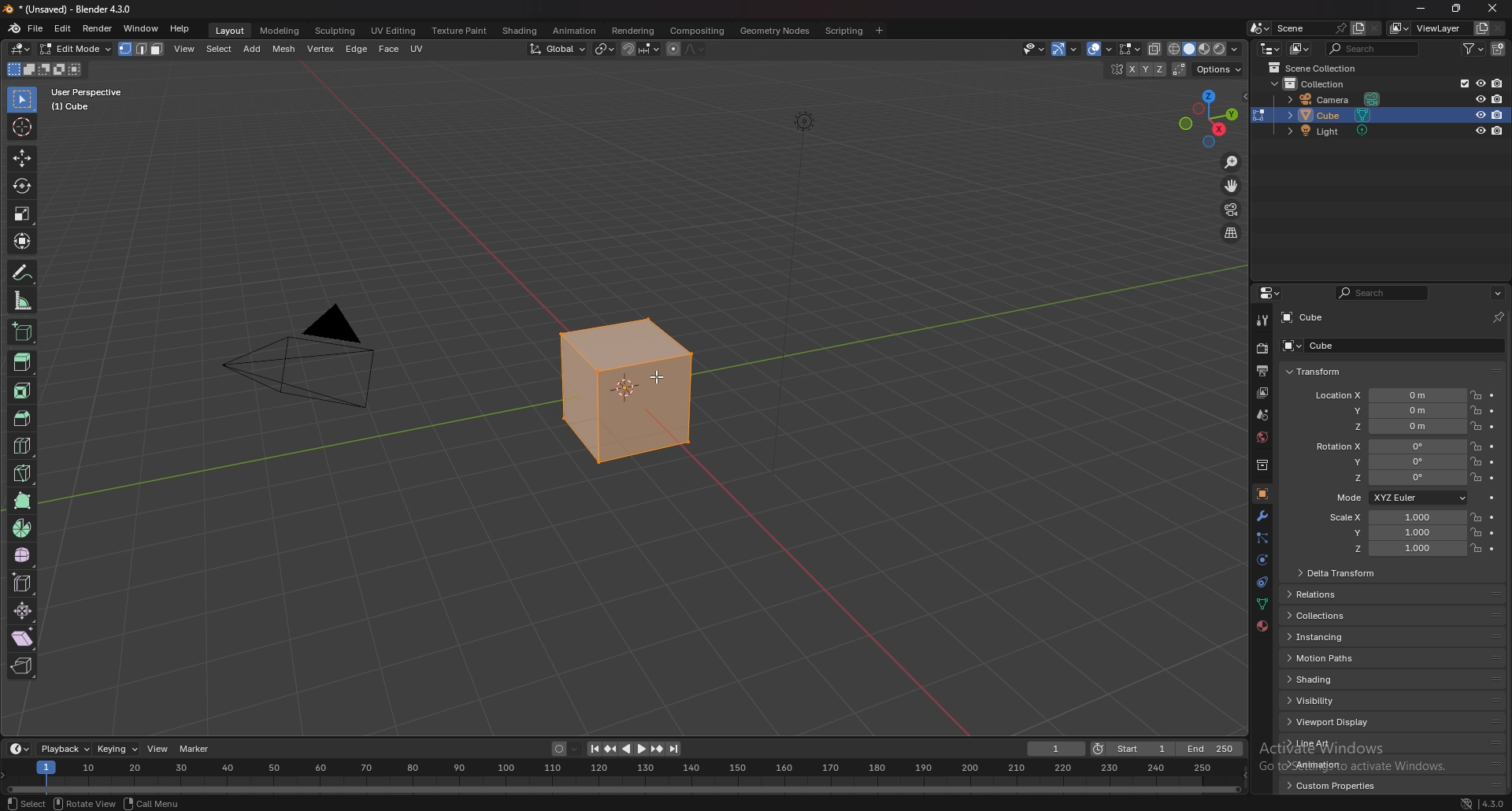  Describe the element at coordinates (1333, 114) in the screenshot. I see `cube` at that location.